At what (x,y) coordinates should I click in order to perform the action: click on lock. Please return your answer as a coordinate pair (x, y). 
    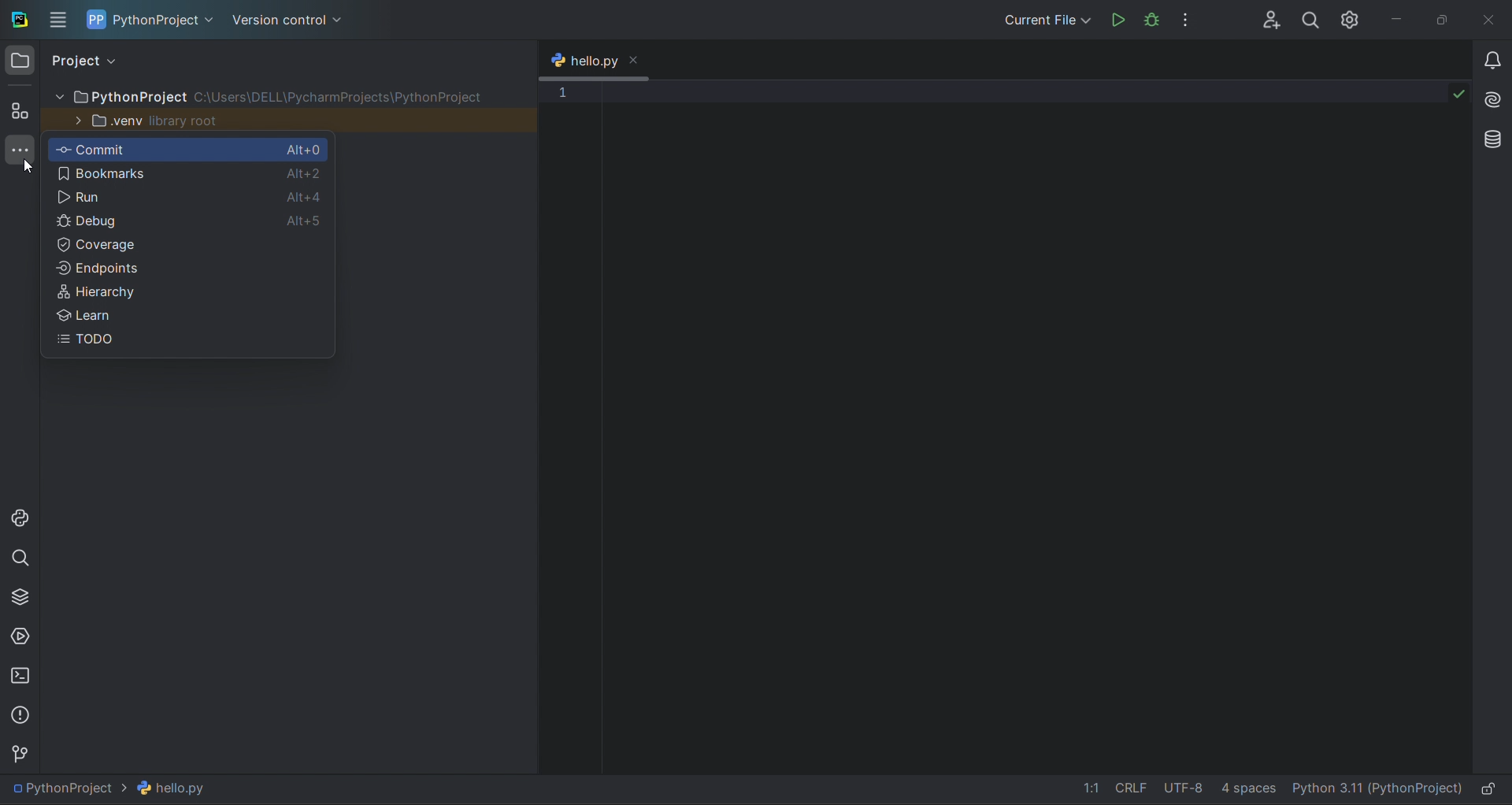
    Looking at the image, I should click on (1492, 790).